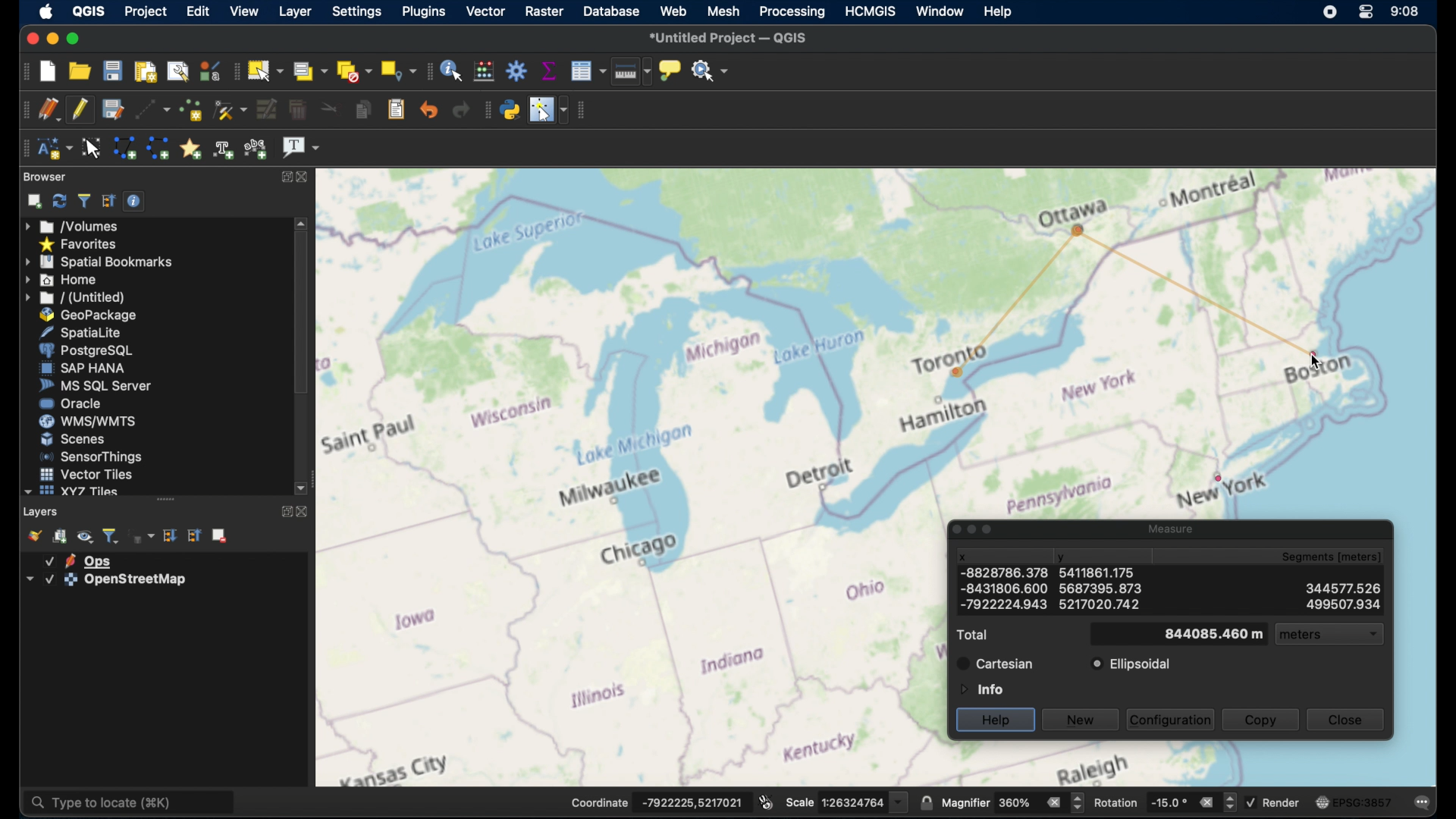  Describe the element at coordinates (453, 69) in the screenshot. I see `identify features` at that location.